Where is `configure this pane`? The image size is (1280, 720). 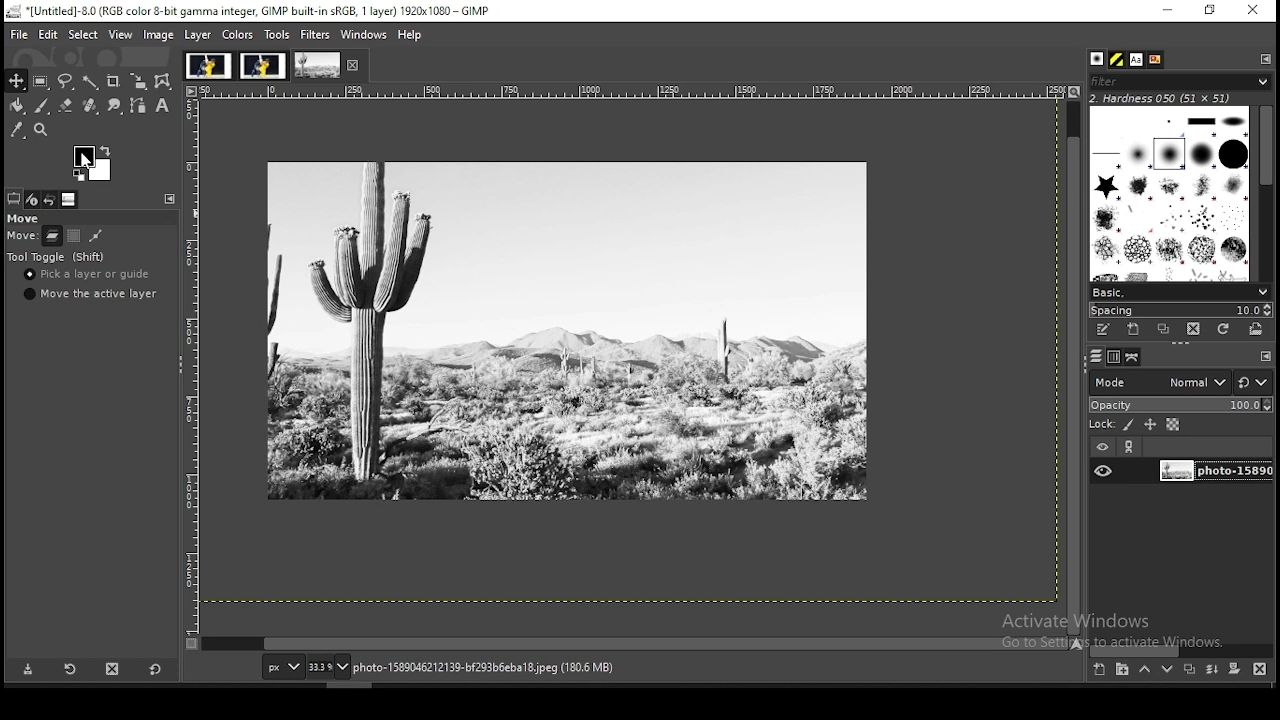
configure this pane is located at coordinates (1264, 356).